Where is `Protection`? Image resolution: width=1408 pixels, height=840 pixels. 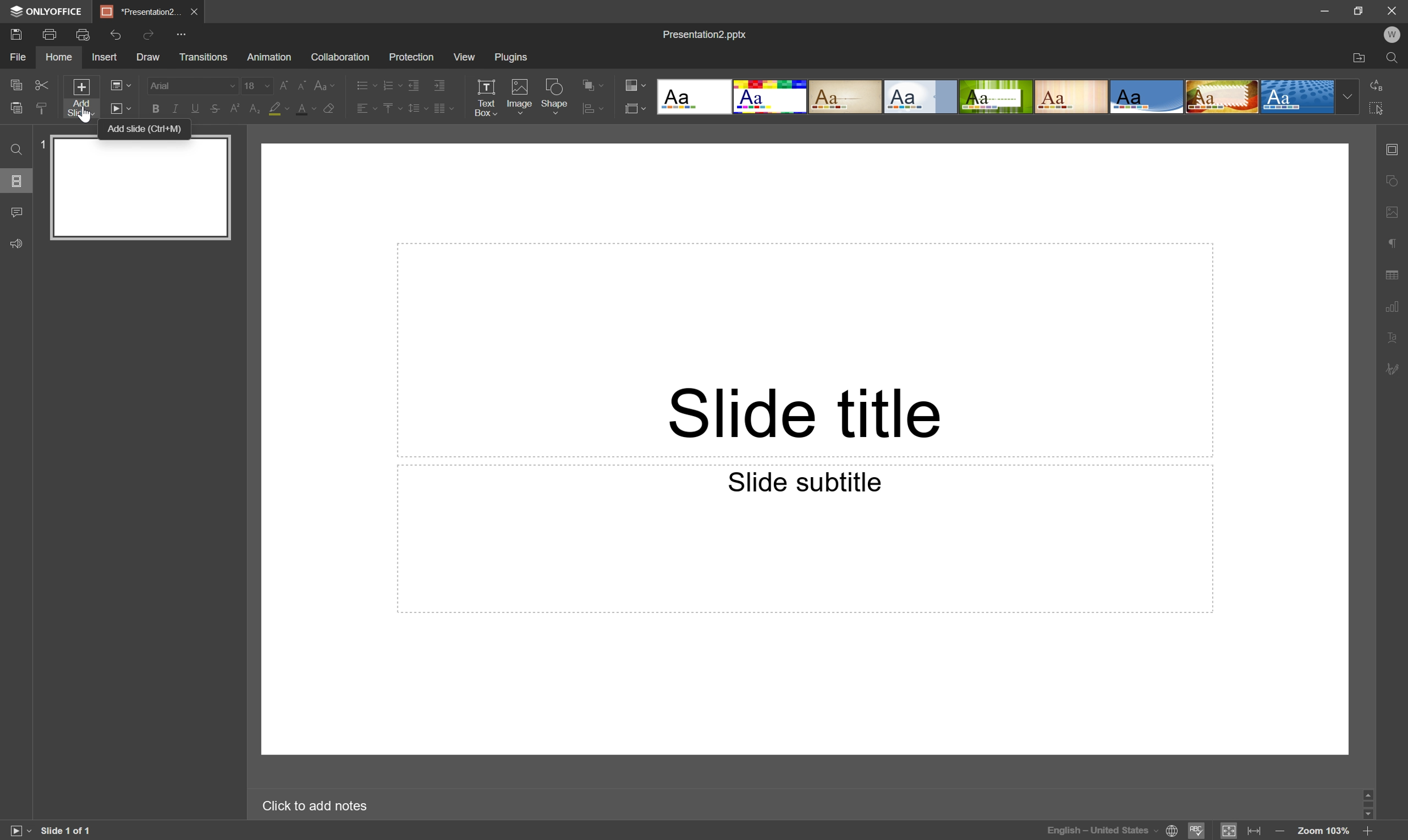
Protection is located at coordinates (409, 56).